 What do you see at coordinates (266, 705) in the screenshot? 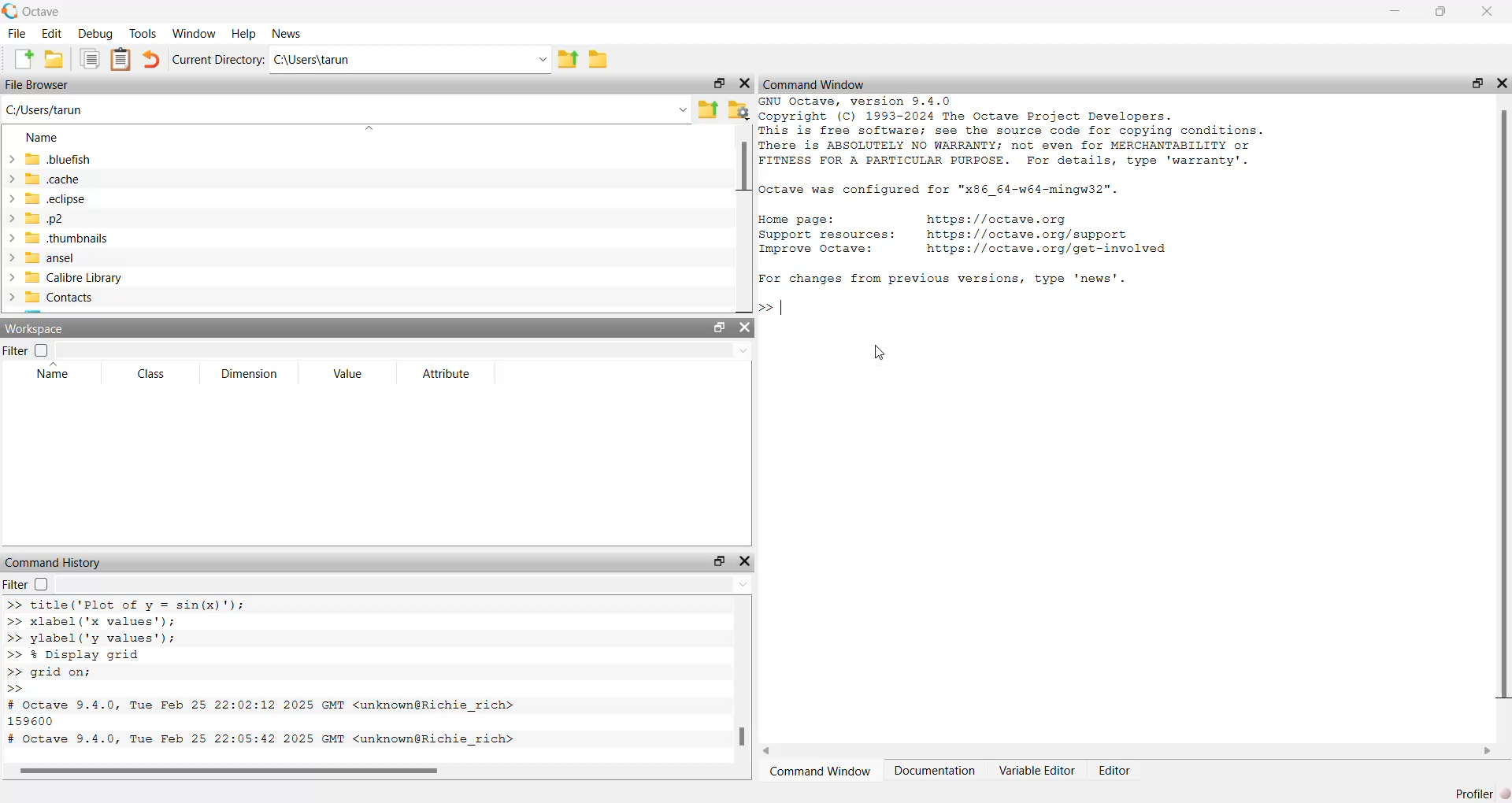
I see `# Octave 9.4.0, Tue Feb 25 22:02:12 2025 GMT <unknown@Richie rich>` at bounding box center [266, 705].